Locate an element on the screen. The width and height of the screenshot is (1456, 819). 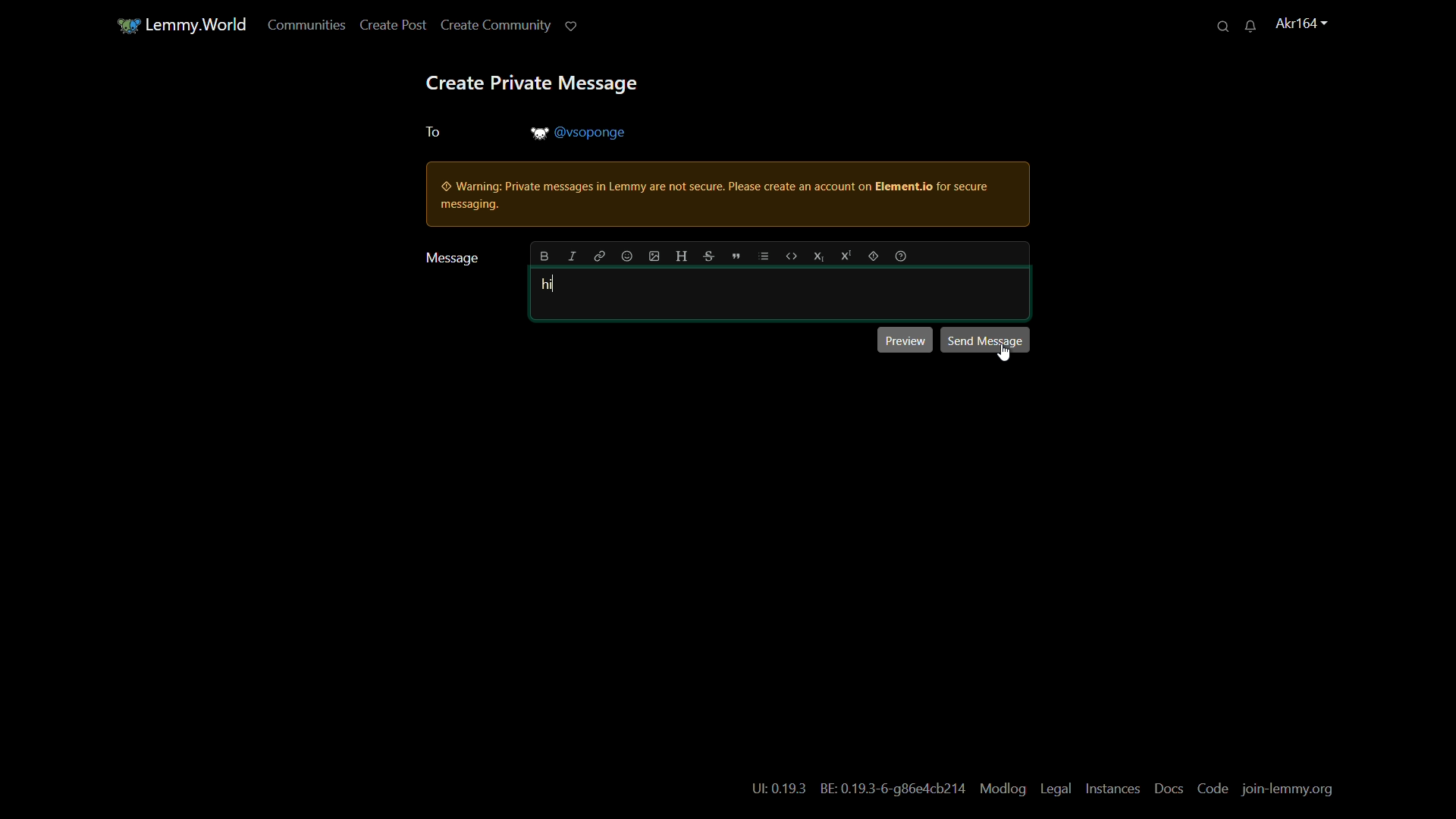
header is located at coordinates (682, 256).